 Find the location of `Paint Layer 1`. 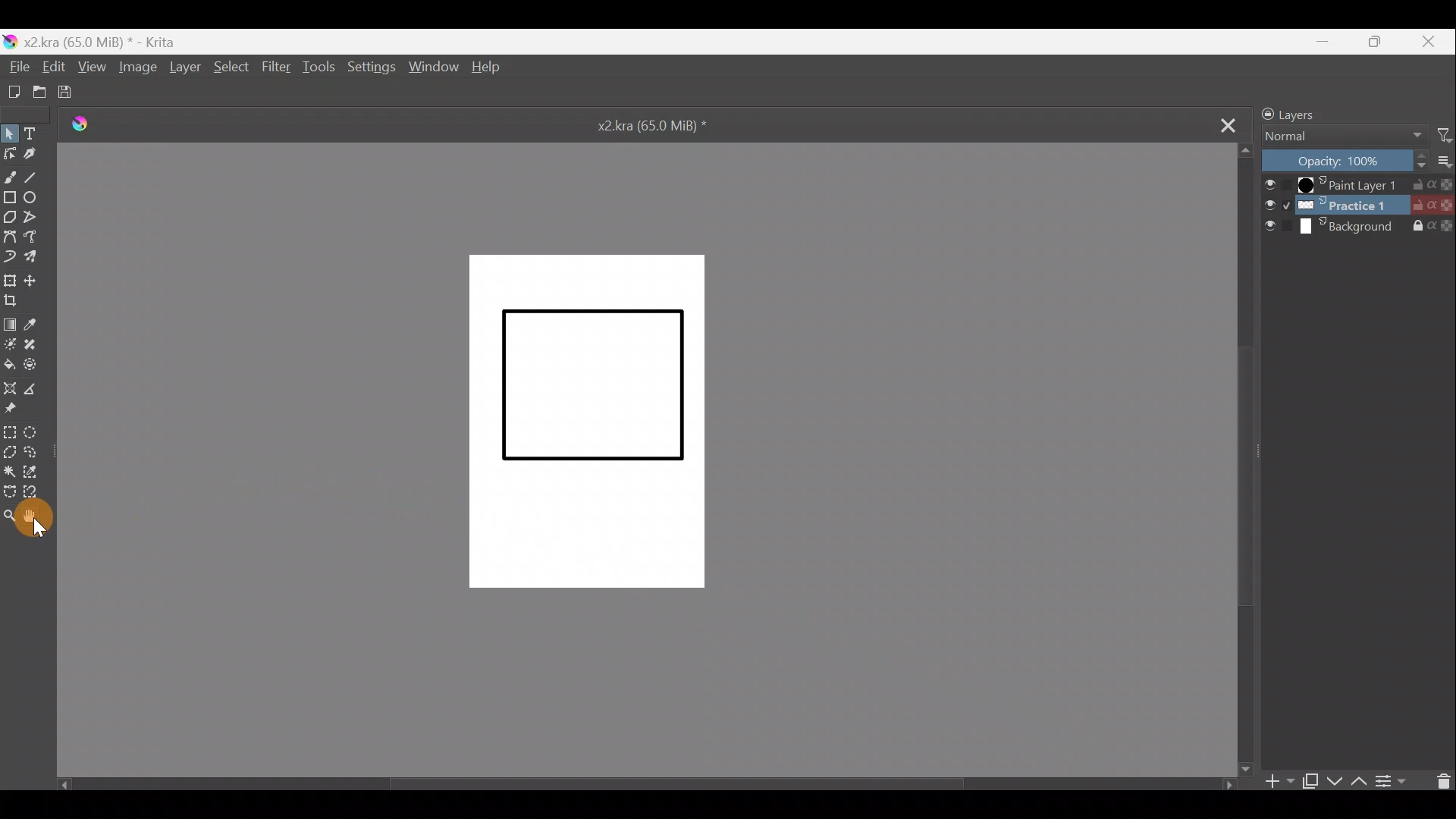

Paint Layer 1 is located at coordinates (1357, 187).